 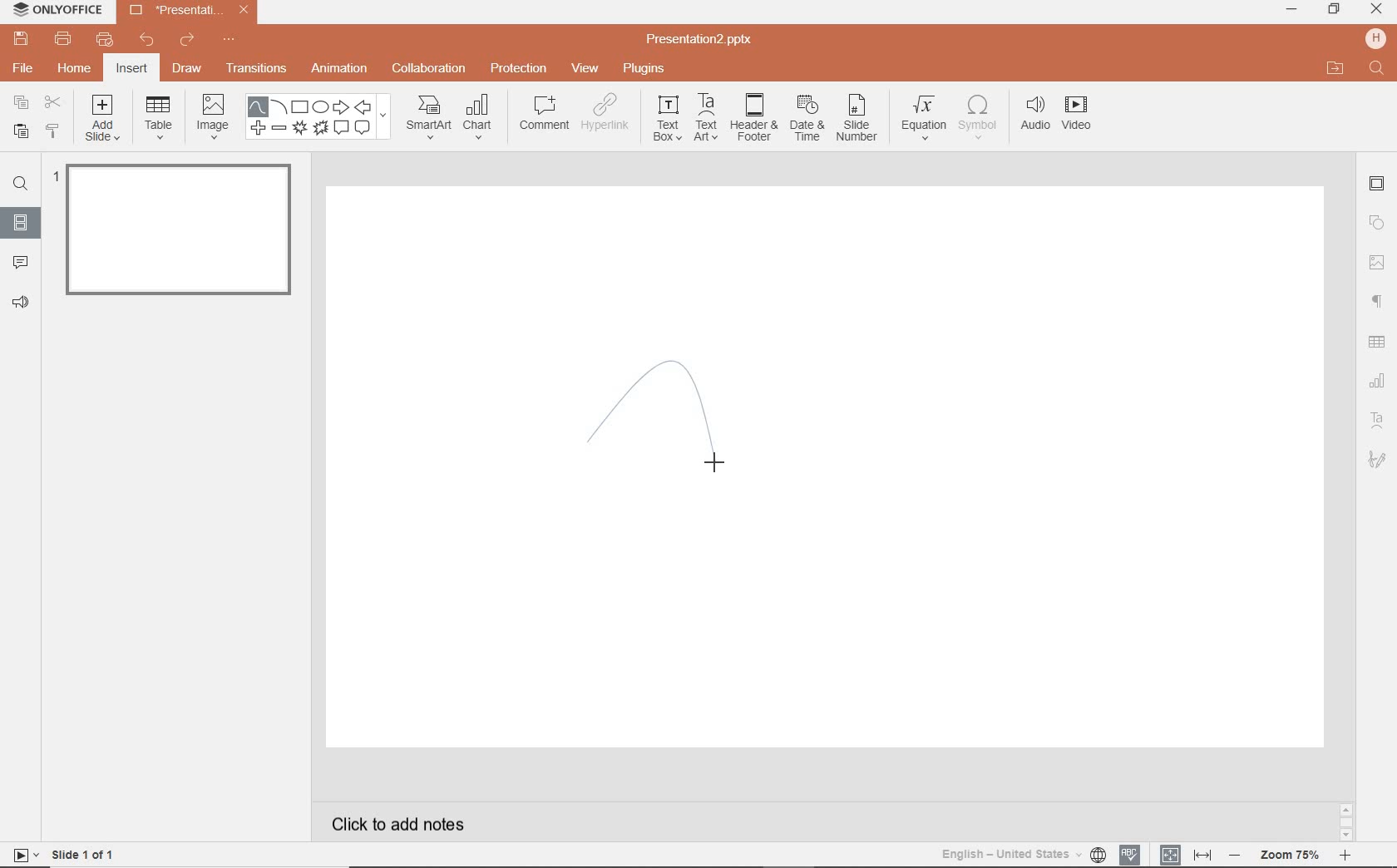 I want to click on CUT, so click(x=52, y=102).